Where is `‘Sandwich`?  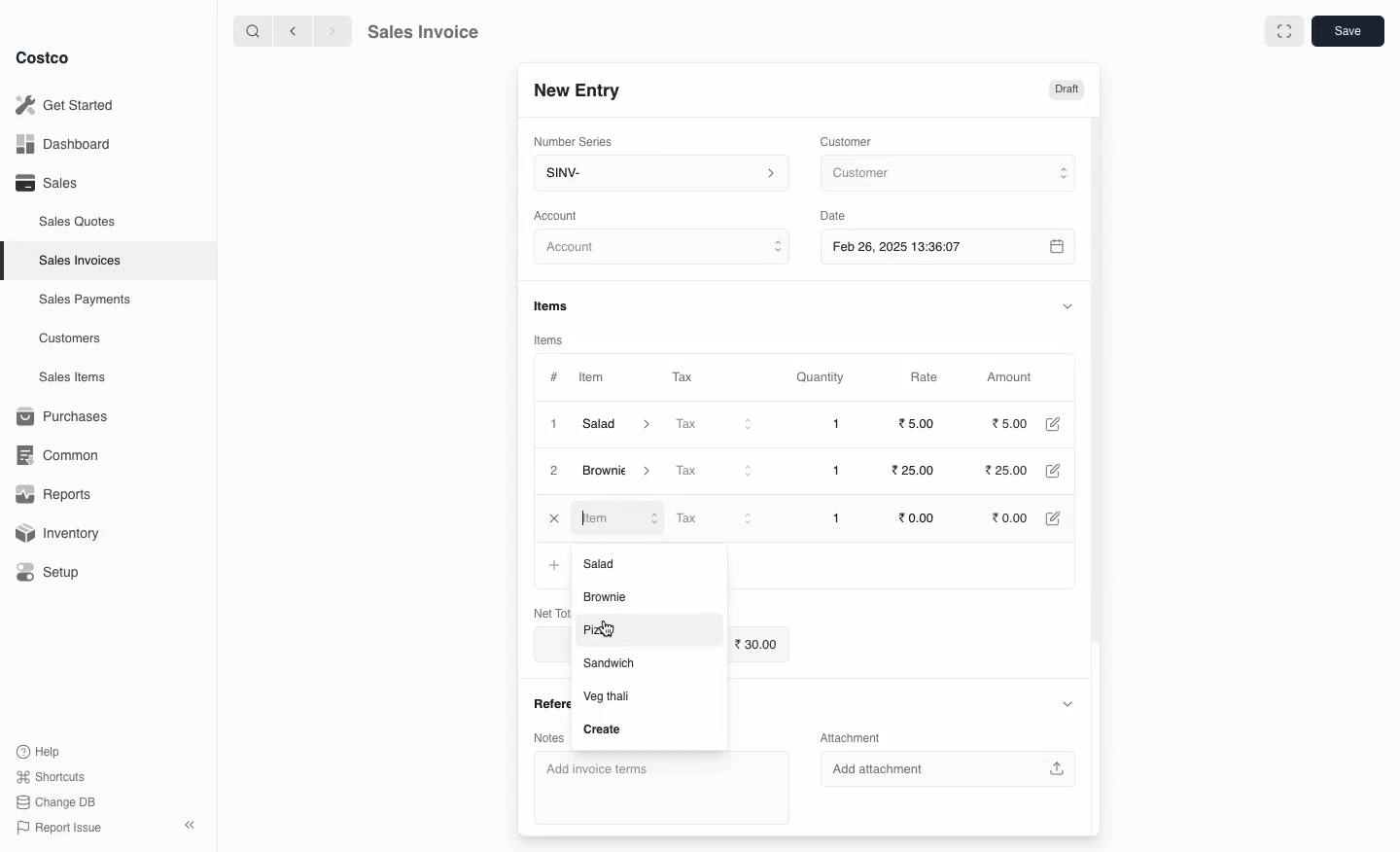 ‘Sandwich is located at coordinates (609, 664).